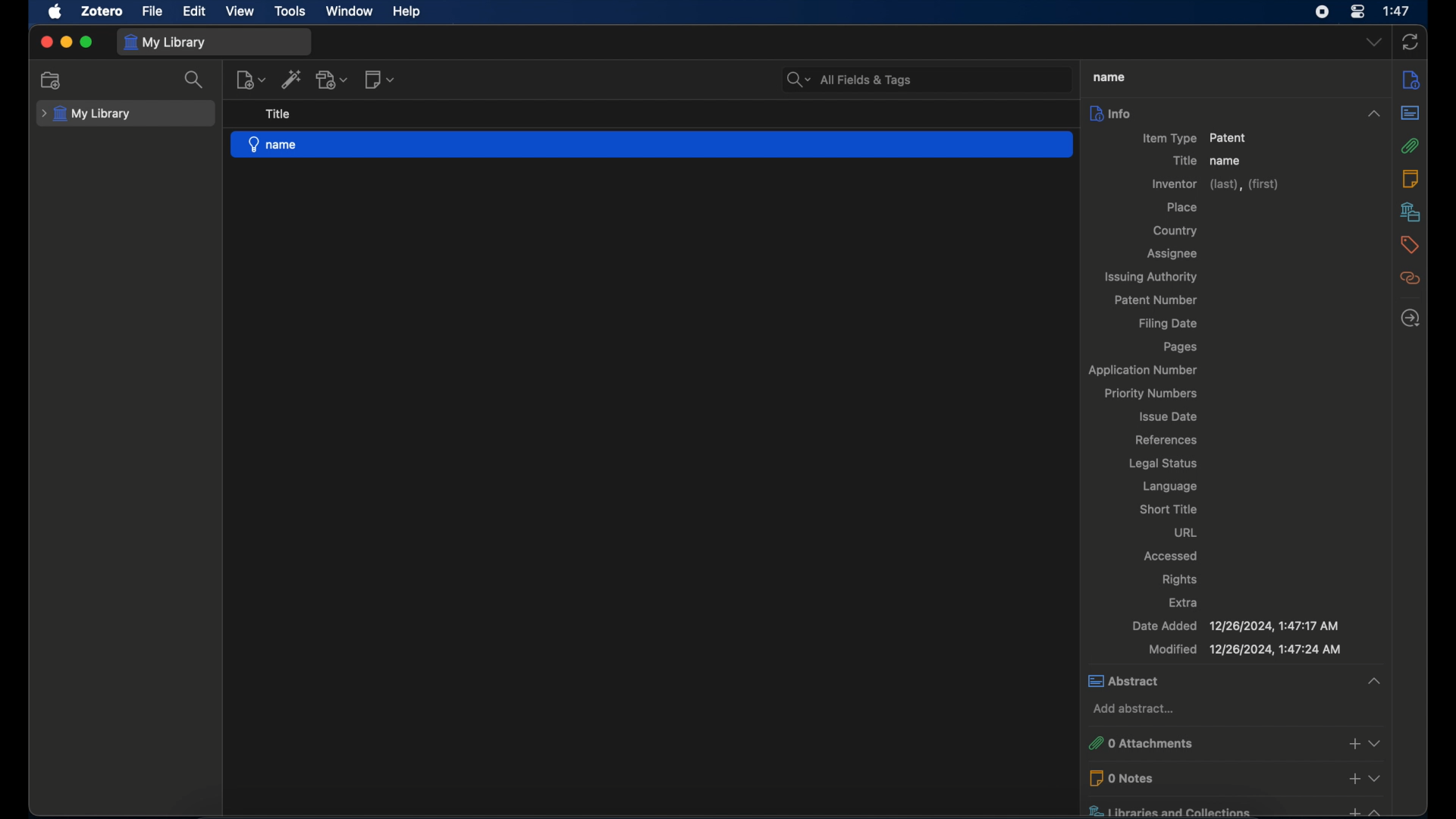  What do you see at coordinates (334, 80) in the screenshot?
I see `add attachment` at bounding box center [334, 80].